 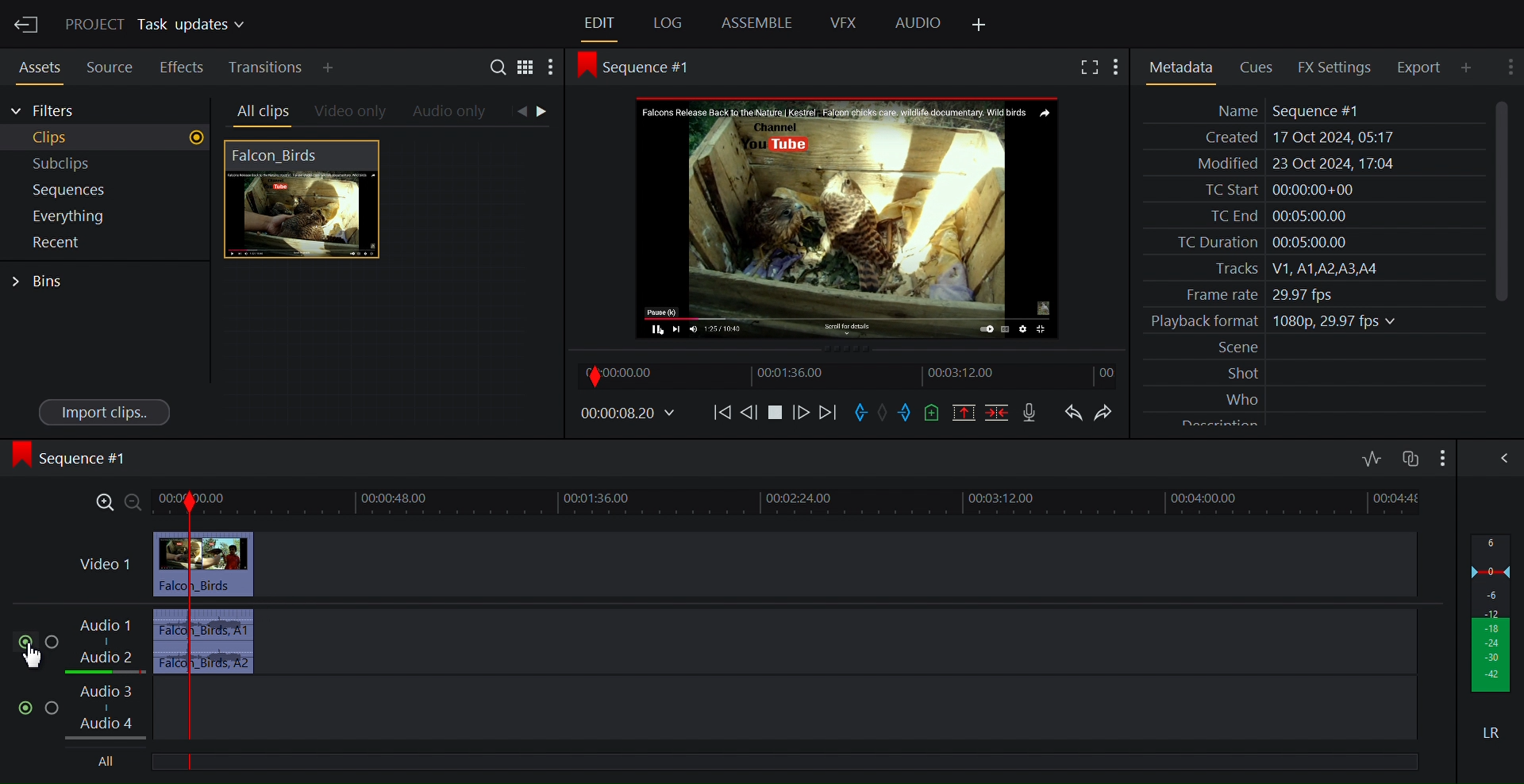 I want to click on Effects, so click(x=182, y=65).